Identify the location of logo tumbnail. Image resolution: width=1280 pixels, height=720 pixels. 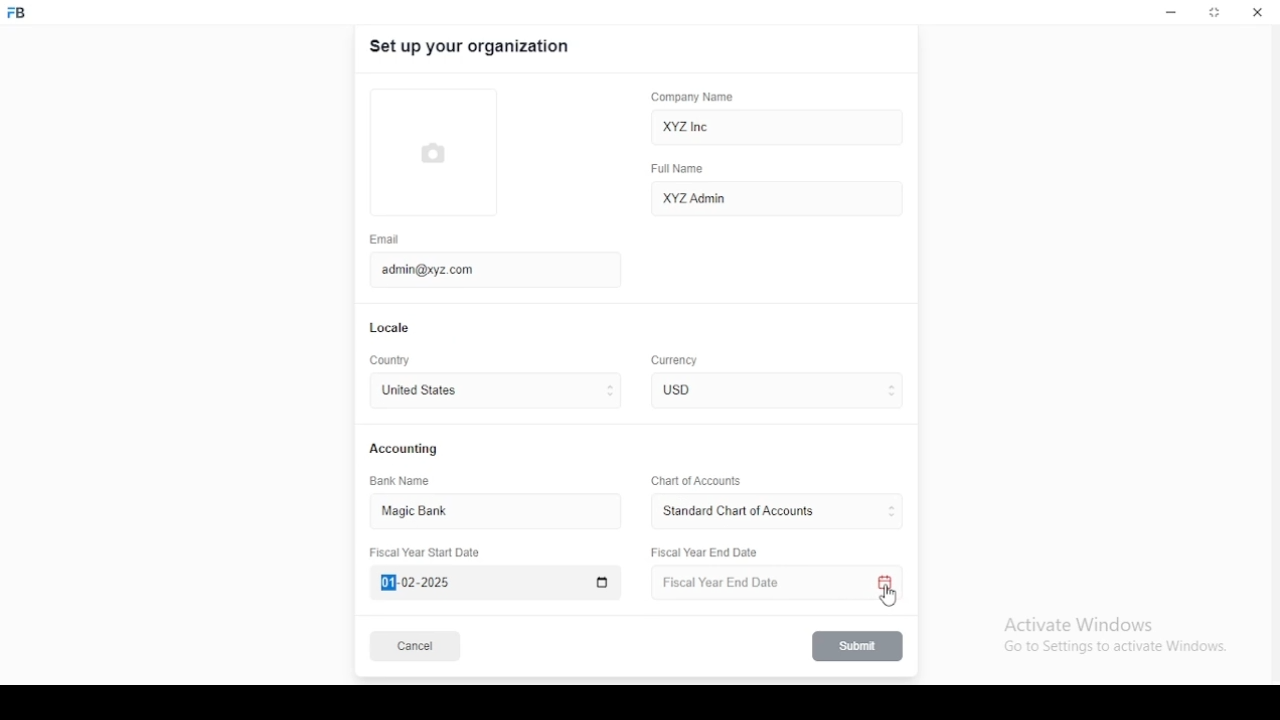
(448, 153).